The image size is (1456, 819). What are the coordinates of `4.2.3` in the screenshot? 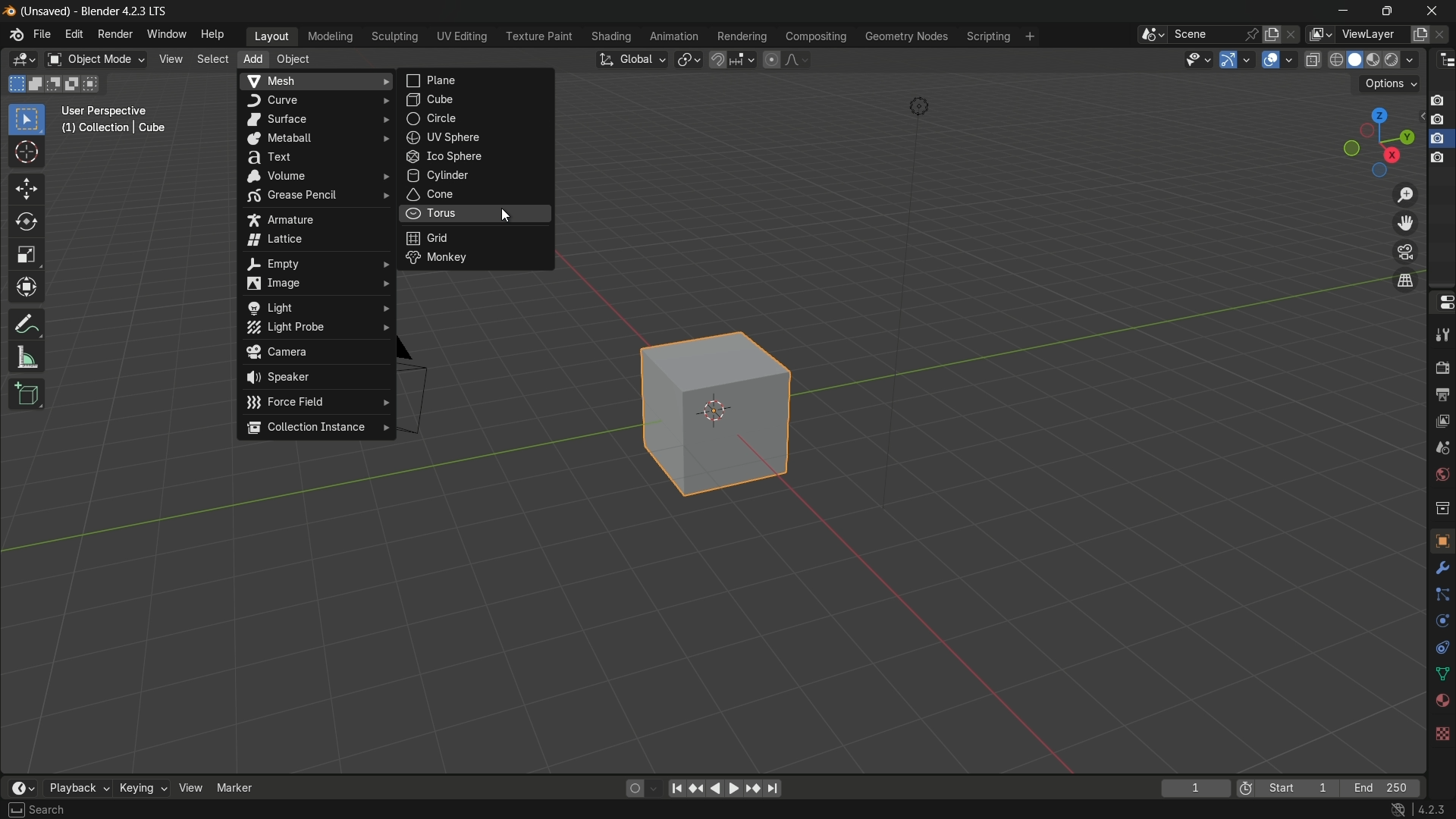 It's located at (1431, 810).